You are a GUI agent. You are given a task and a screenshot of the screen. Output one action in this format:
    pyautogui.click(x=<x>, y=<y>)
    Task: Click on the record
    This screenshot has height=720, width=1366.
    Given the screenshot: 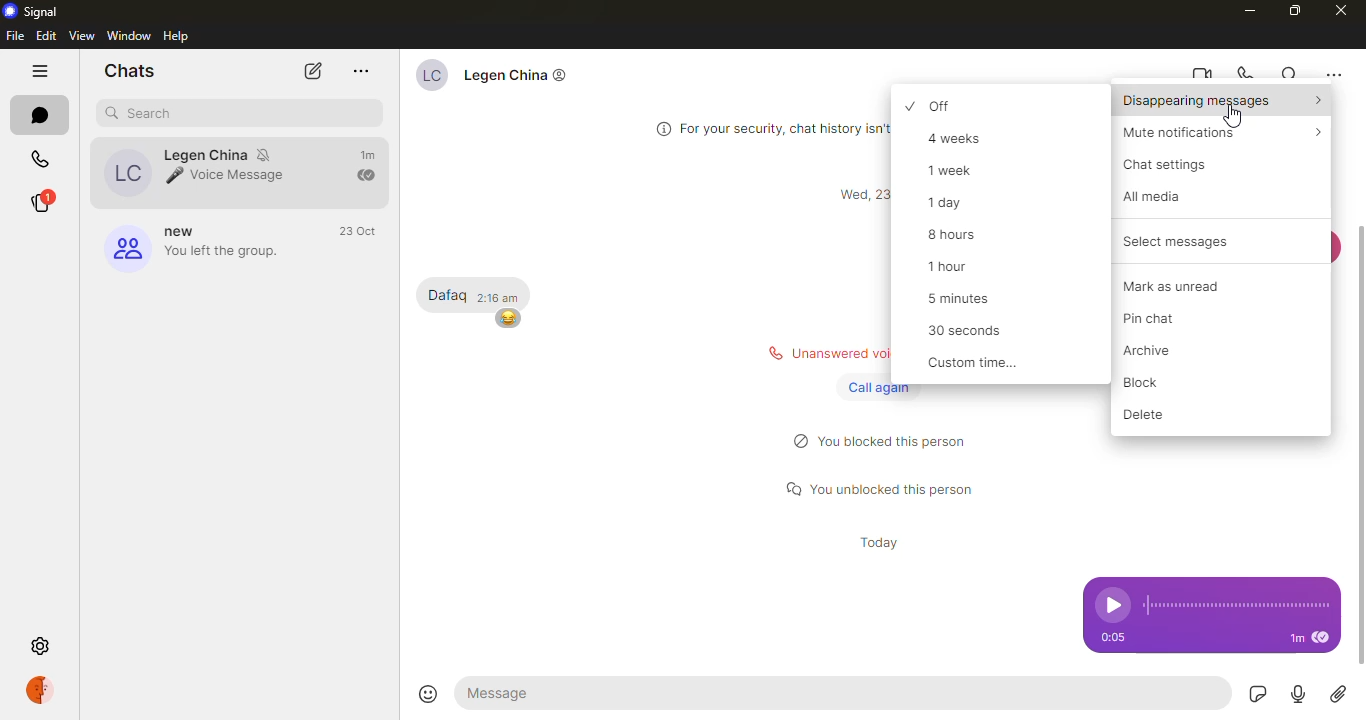 What is the action you would take?
    pyautogui.click(x=1298, y=695)
    